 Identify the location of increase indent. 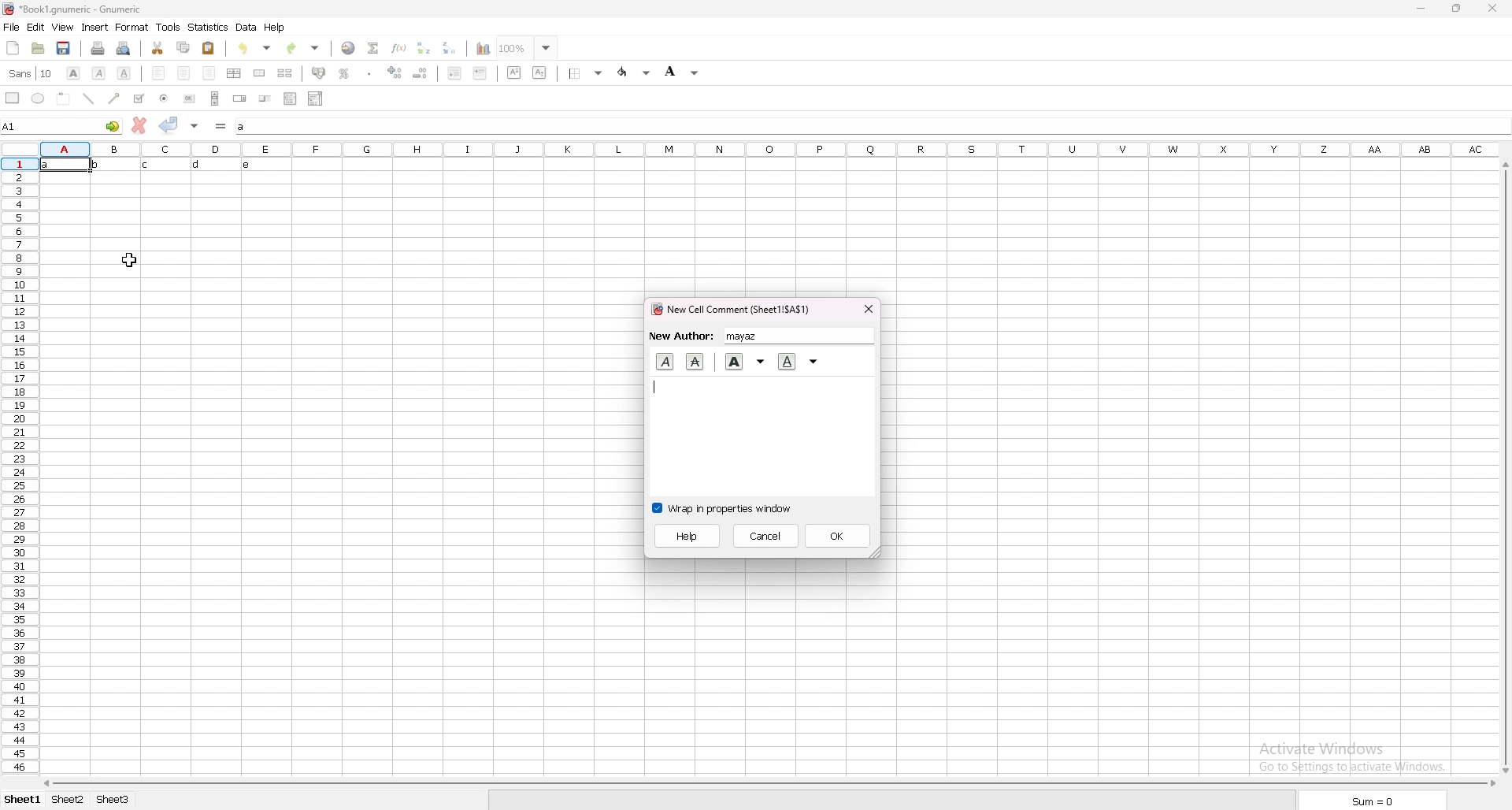
(480, 73).